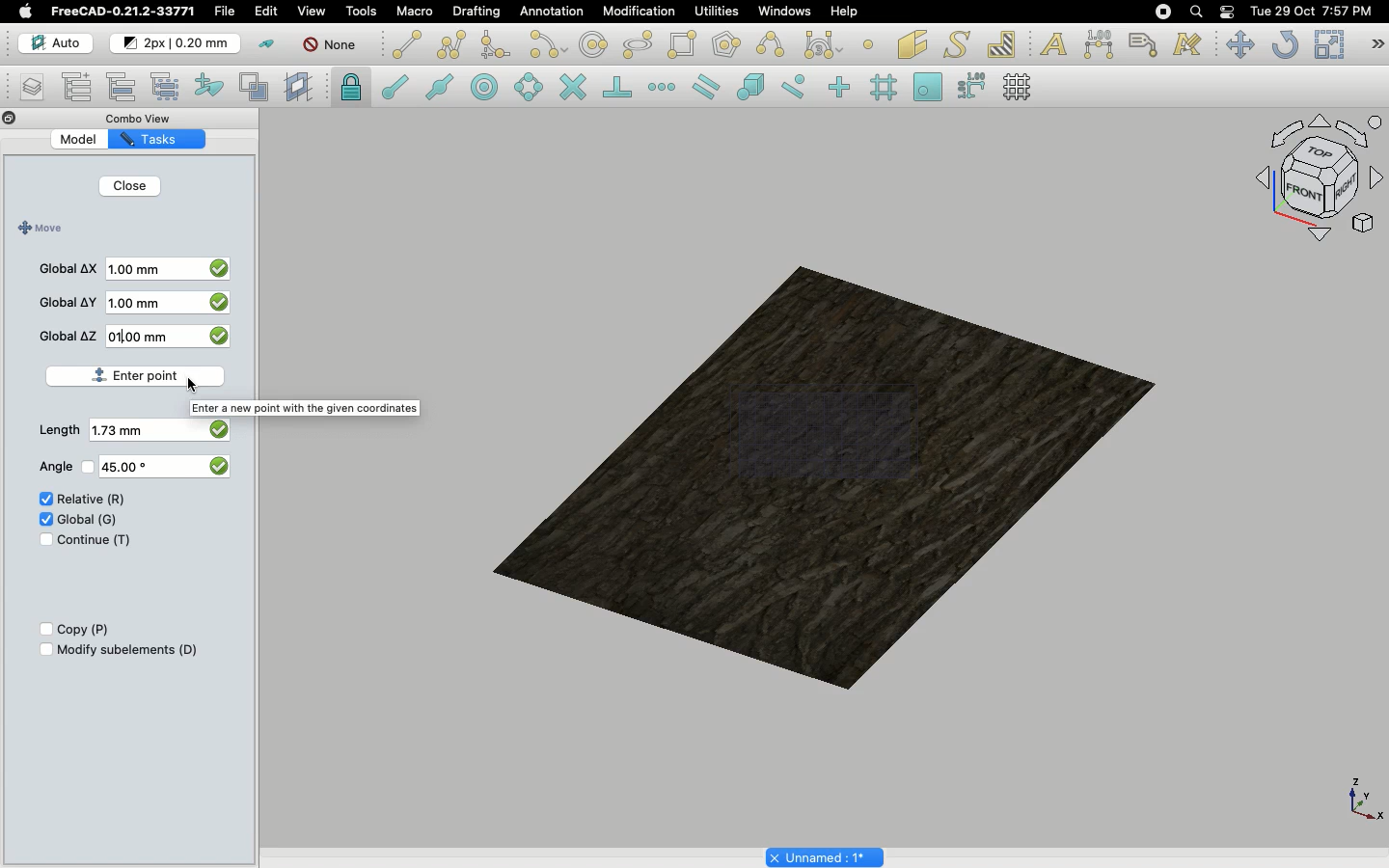 The image size is (1389, 868). Describe the element at coordinates (451, 44) in the screenshot. I see `Polyline` at that location.